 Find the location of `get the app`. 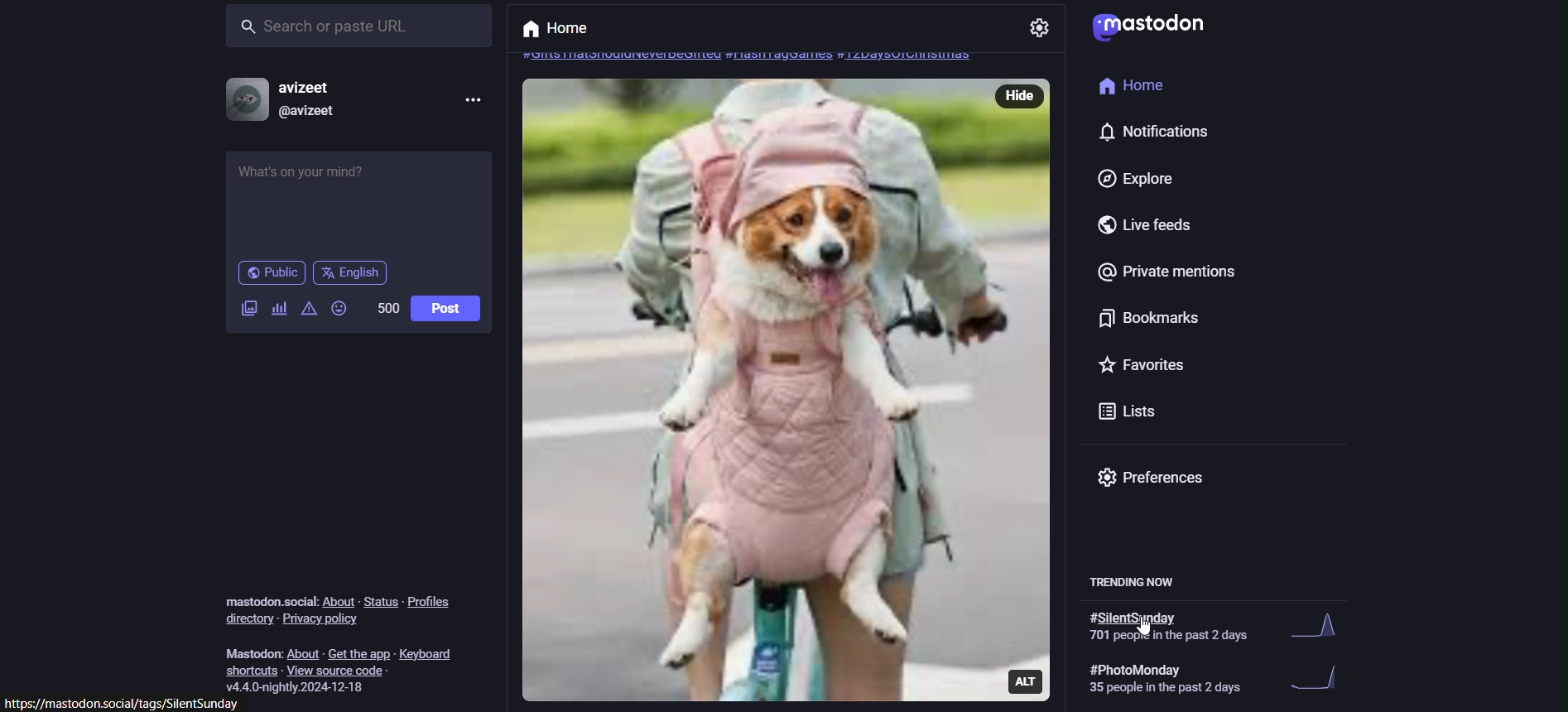

get the app is located at coordinates (358, 652).